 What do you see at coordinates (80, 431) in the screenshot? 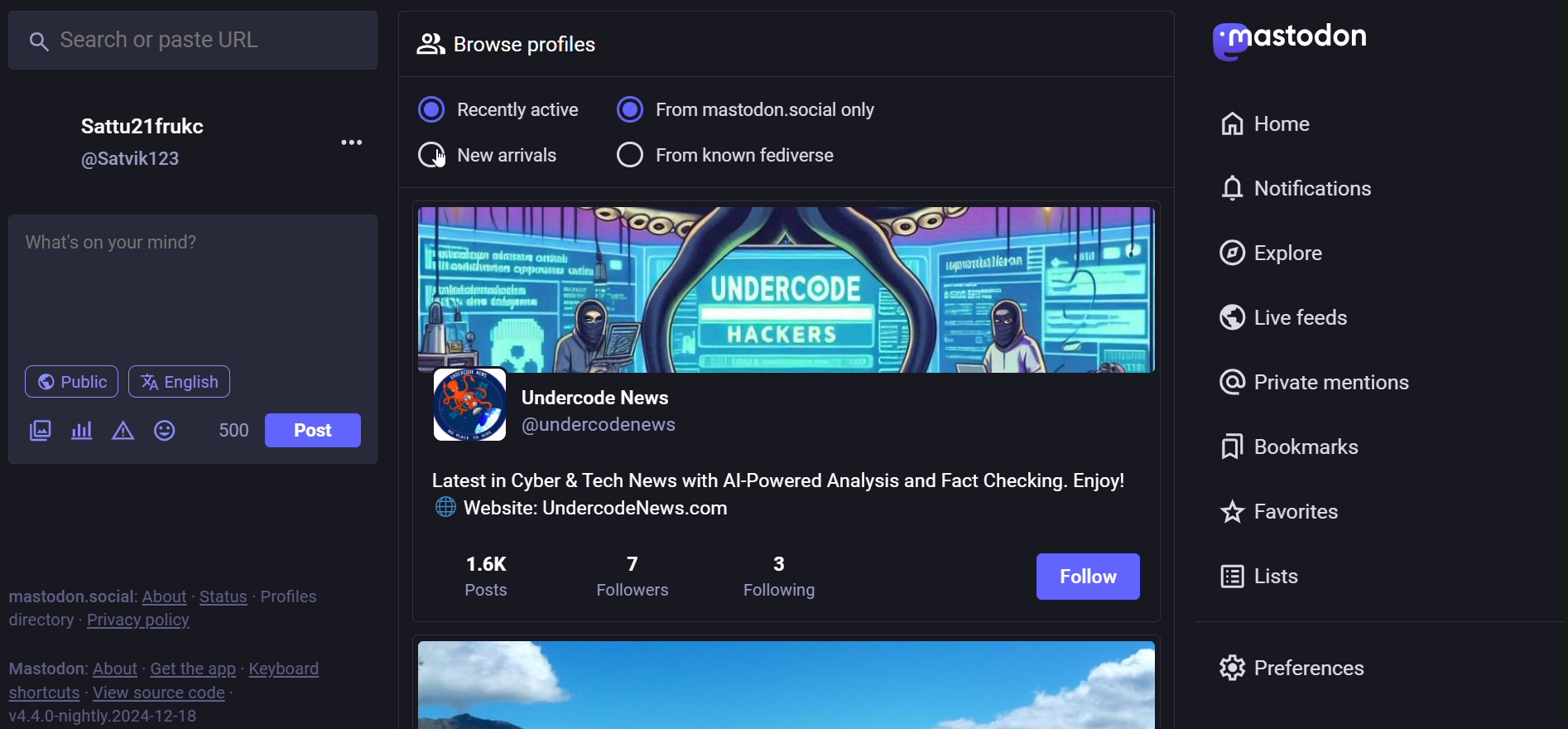
I see `poll` at bounding box center [80, 431].